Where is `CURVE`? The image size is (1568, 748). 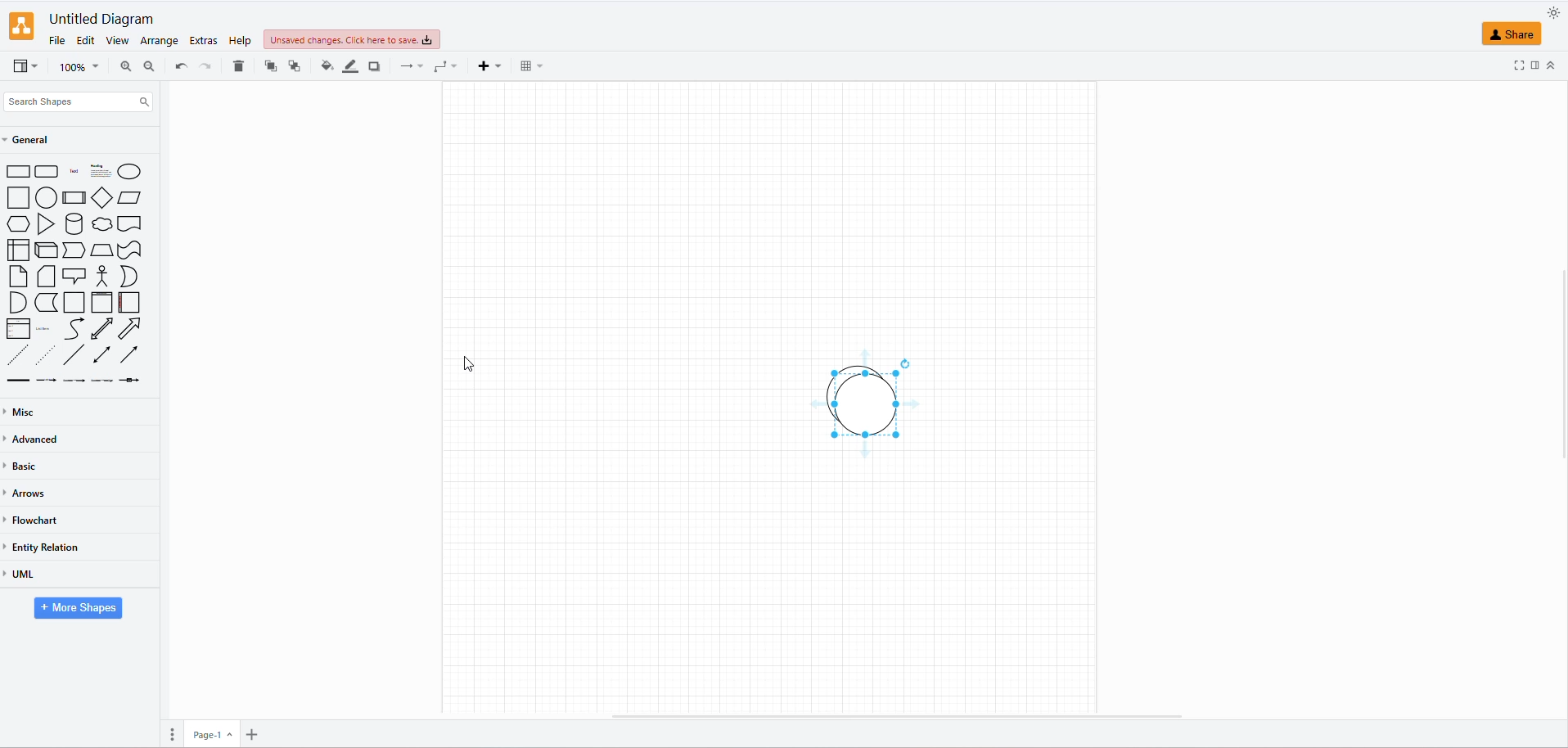 CURVE is located at coordinates (75, 329).